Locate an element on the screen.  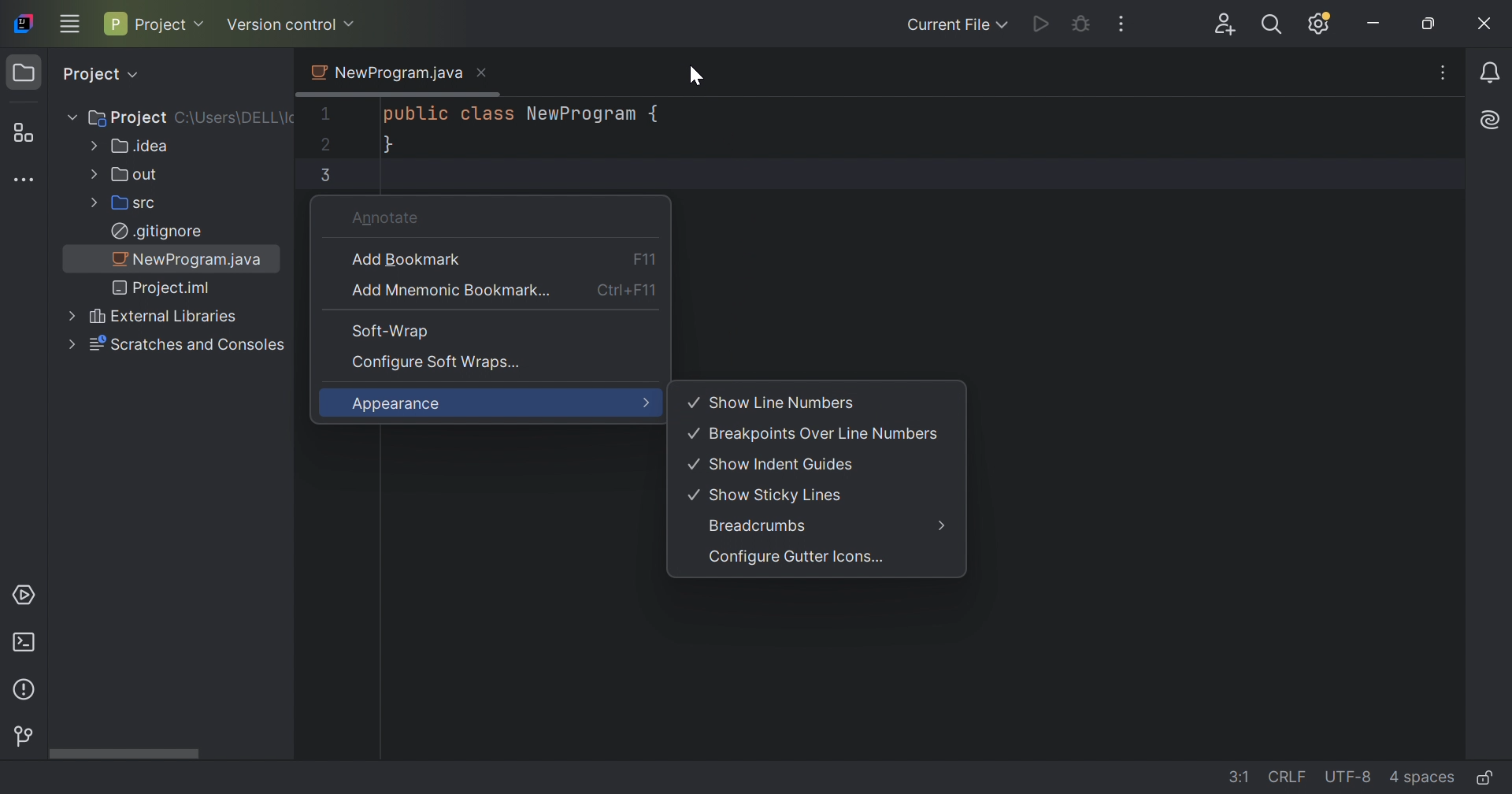
More tool windows is located at coordinates (24, 181).